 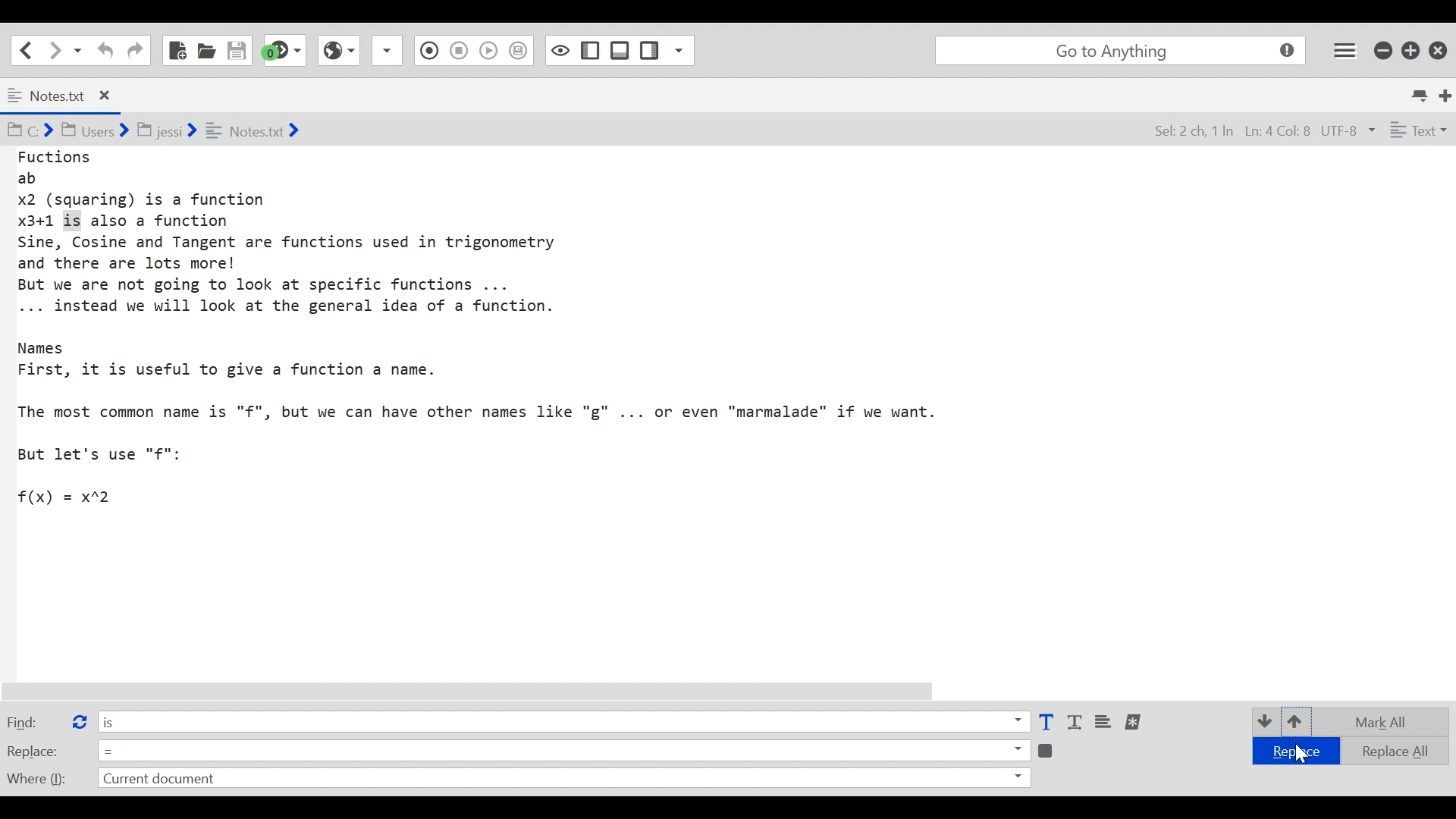 I want to click on Cursor, so click(x=1298, y=753).